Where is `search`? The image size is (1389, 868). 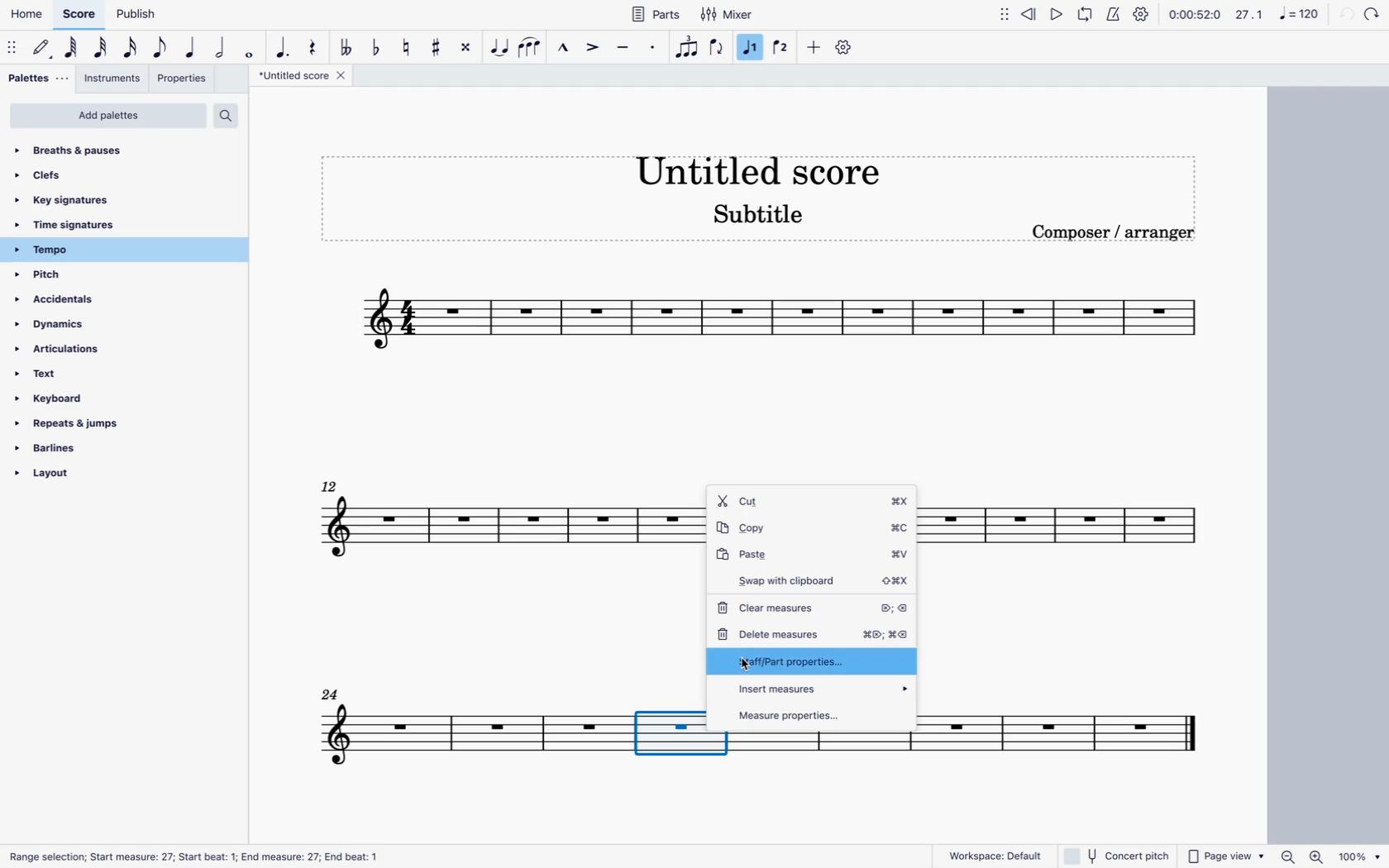 search is located at coordinates (232, 117).